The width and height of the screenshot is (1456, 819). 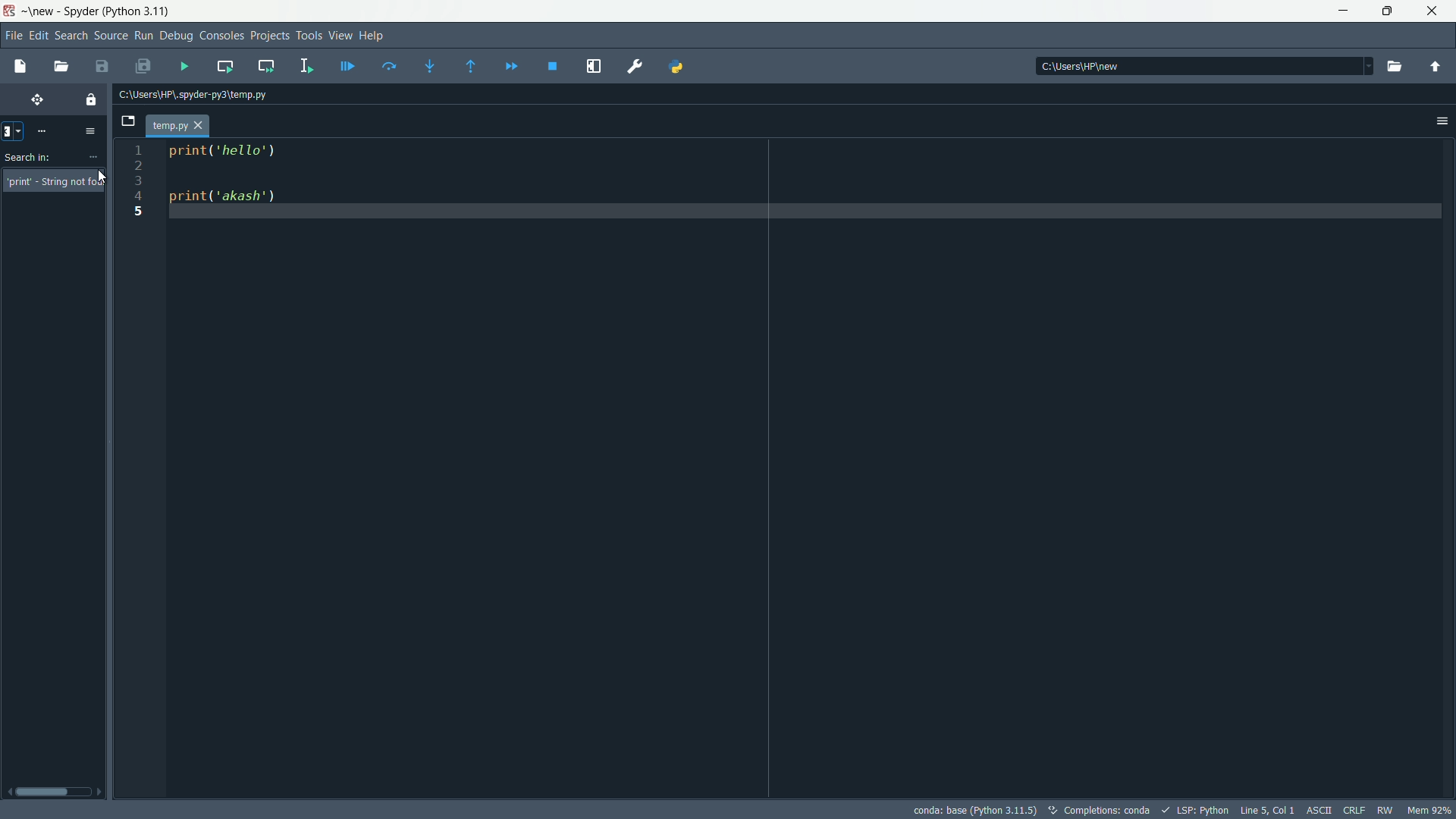 I want to click on View Menu, so click(x=340, y=35).